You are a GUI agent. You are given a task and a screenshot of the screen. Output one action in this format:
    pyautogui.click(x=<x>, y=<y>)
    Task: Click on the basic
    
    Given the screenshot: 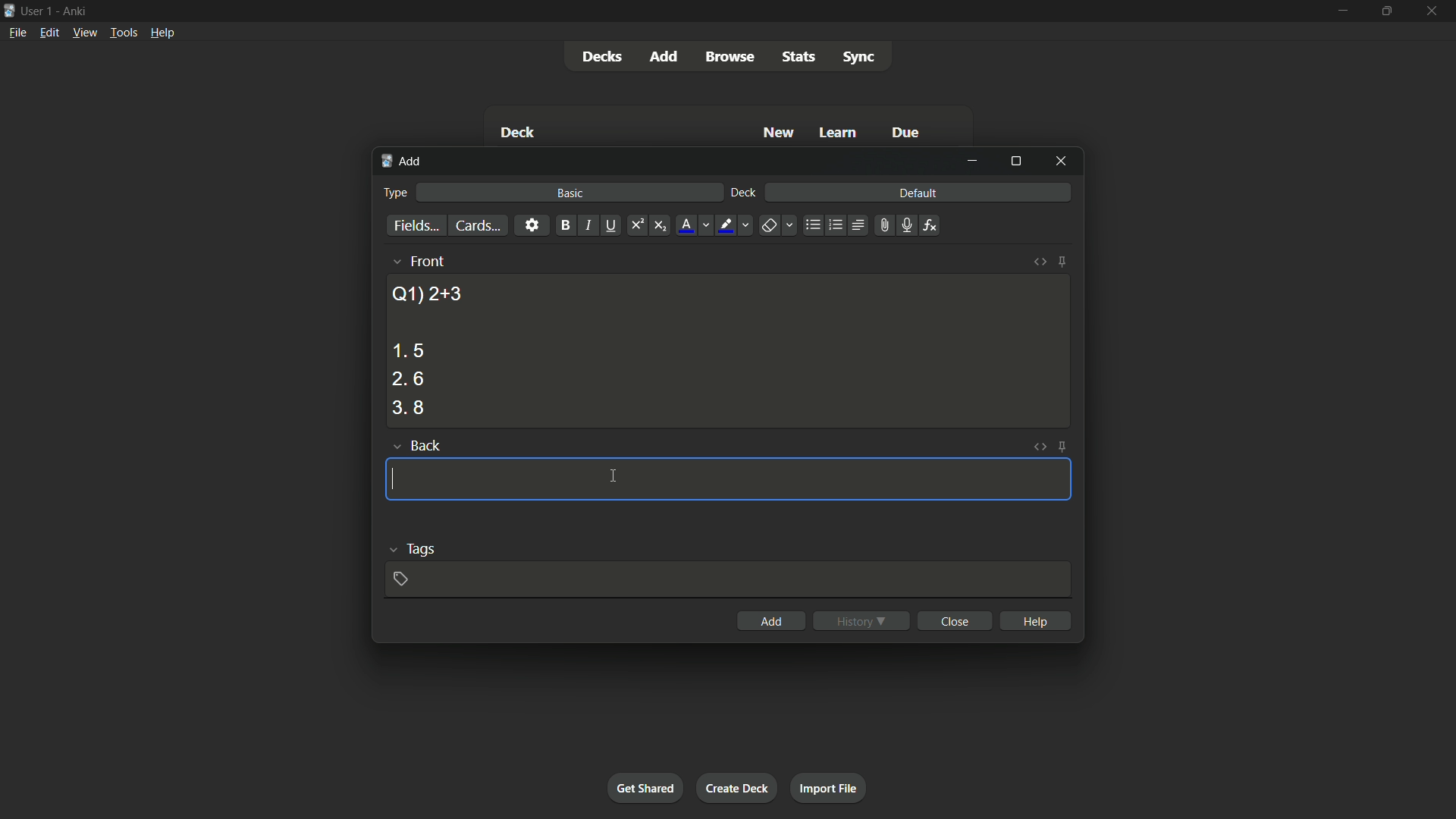 What is the action you would take?
    pyautogui.click(x=571, y=193)
    